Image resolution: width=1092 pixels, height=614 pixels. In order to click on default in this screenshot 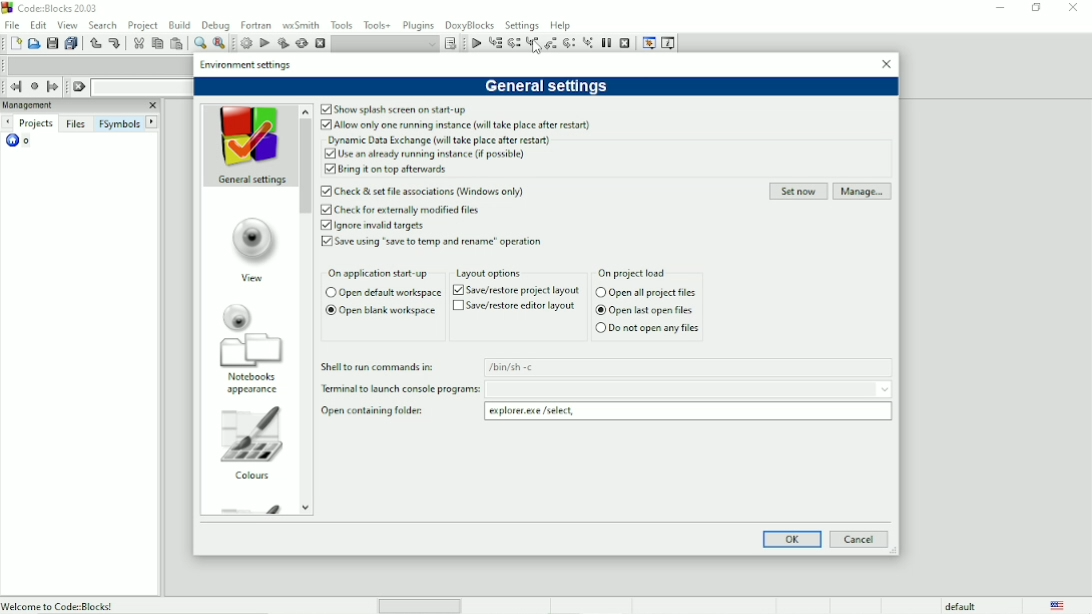, I will do `click(964, 605)`.